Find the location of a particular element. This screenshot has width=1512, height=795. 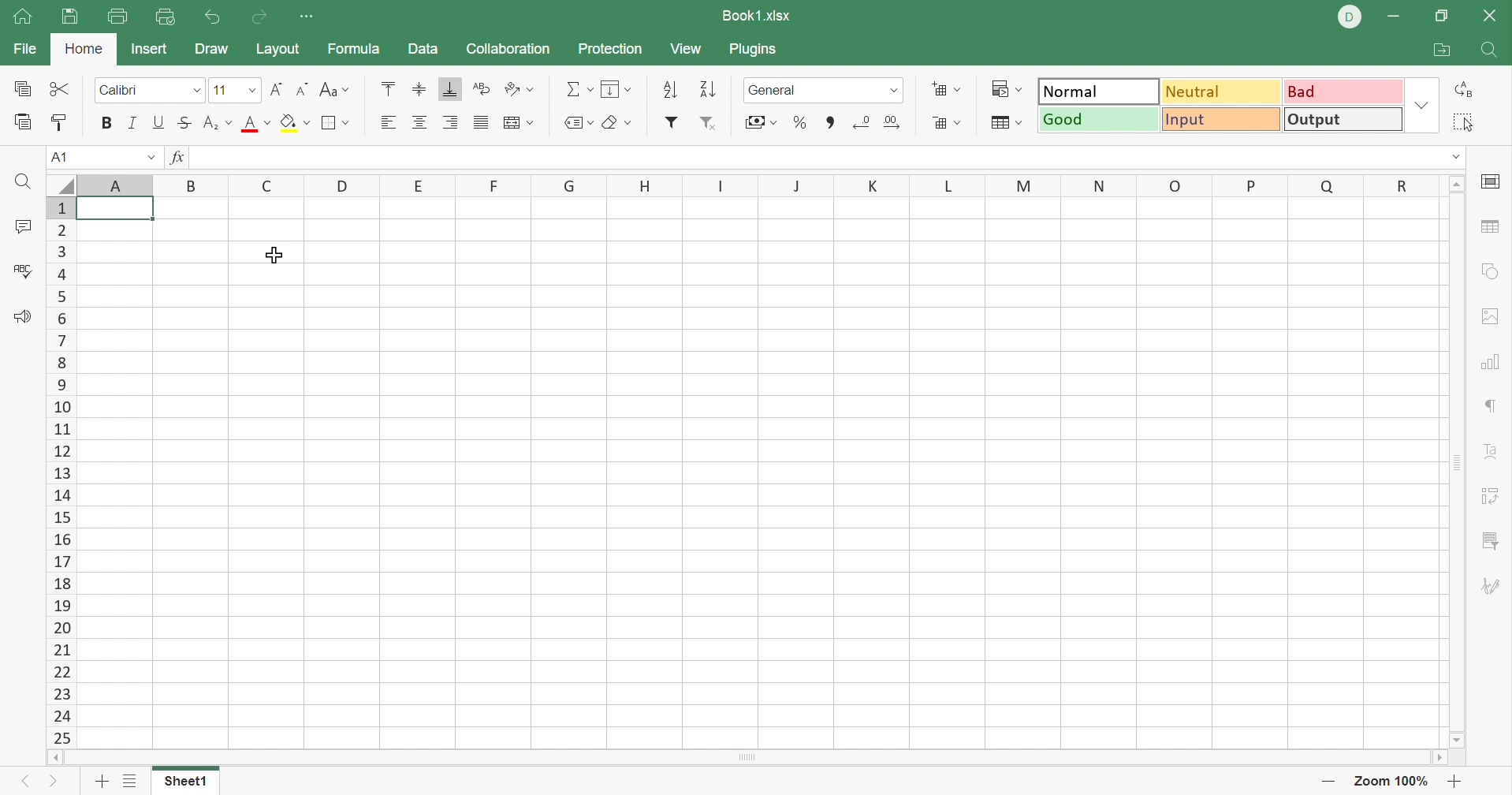

Align Right is located at coordinates (450, 122).